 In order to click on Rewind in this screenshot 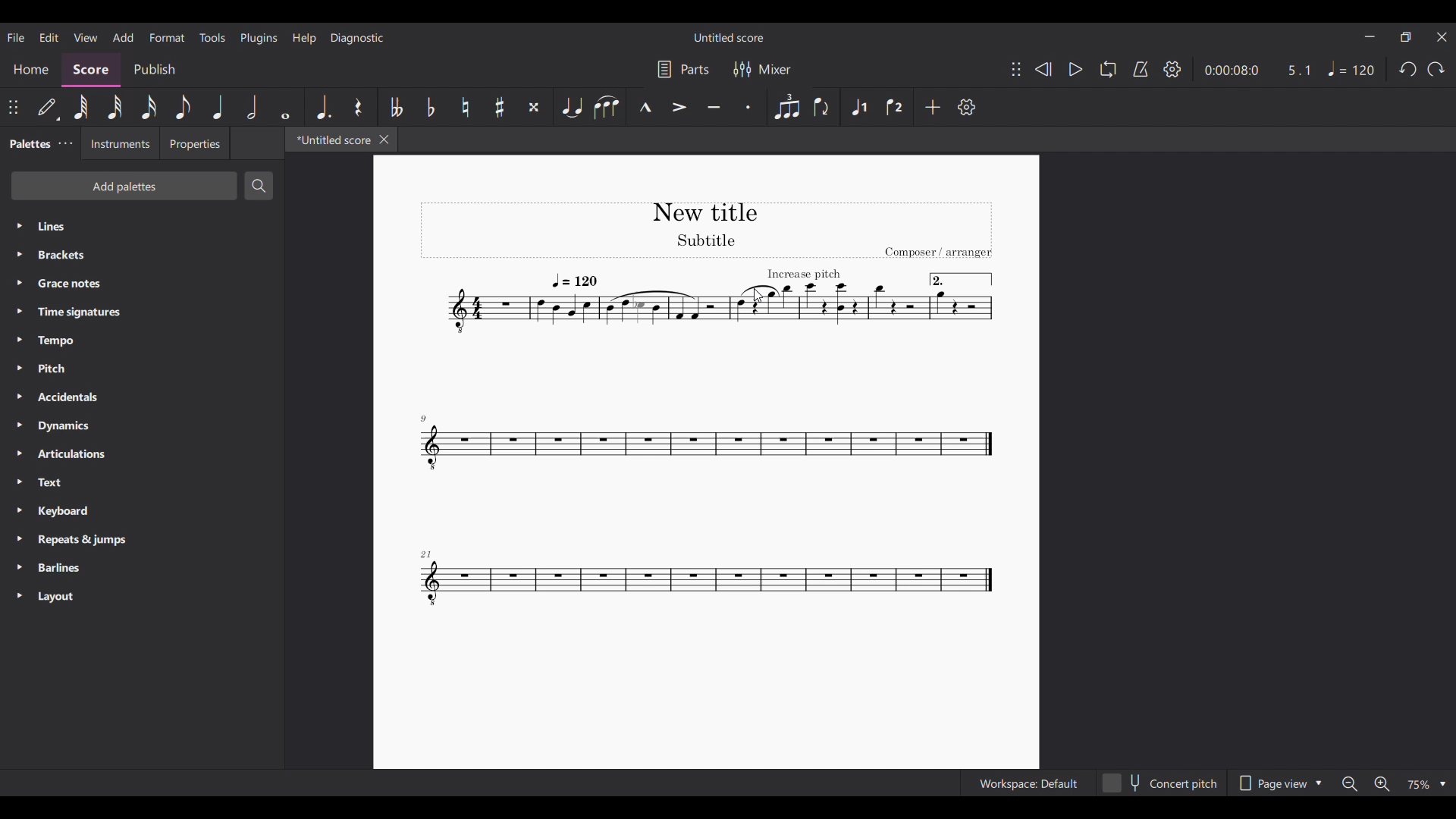, I will do `click(1043, 70)`.